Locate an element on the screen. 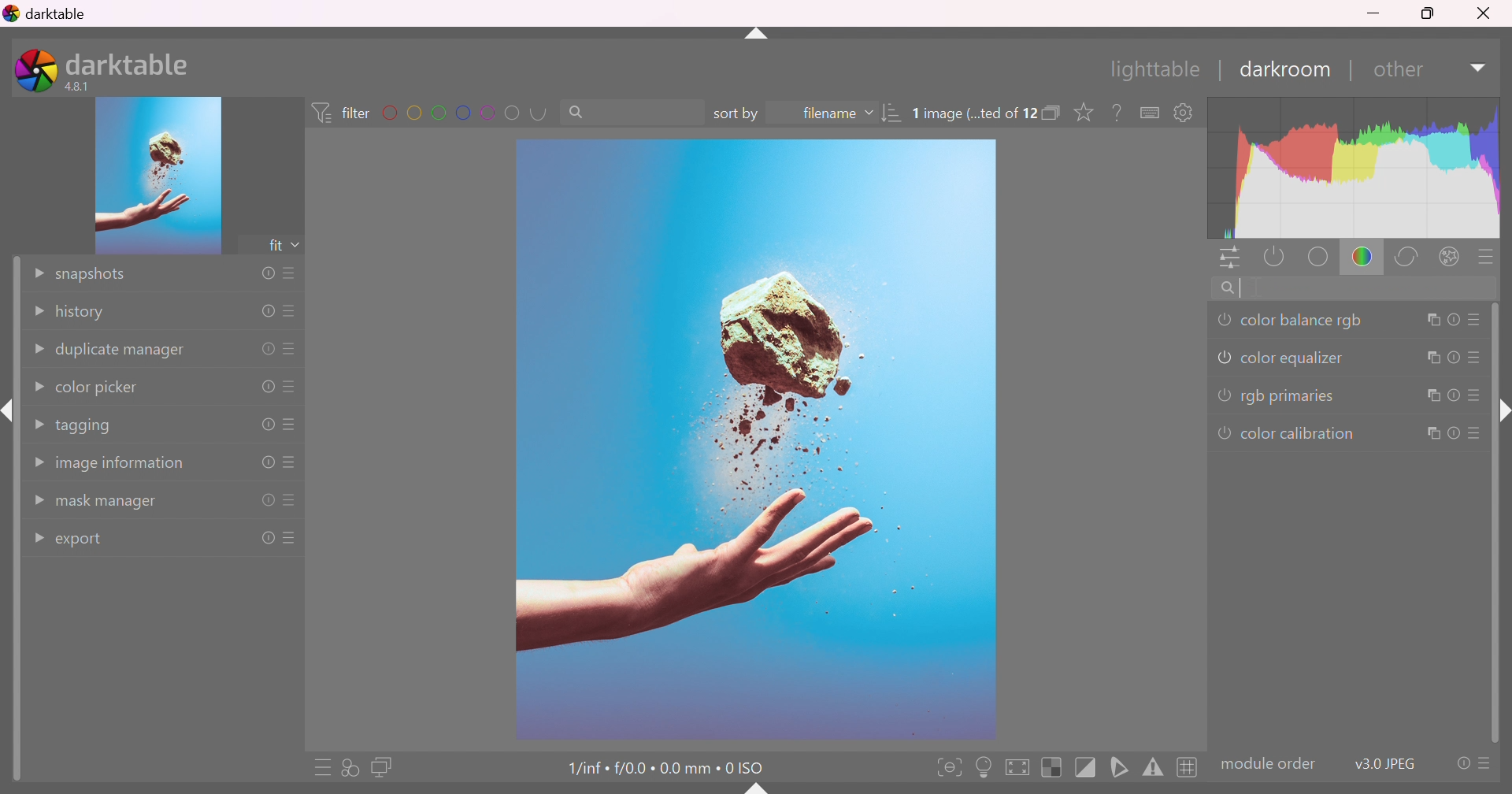 The height and width of the screenshot is (794, 1512). reset is located at coordinates (1455, 434).